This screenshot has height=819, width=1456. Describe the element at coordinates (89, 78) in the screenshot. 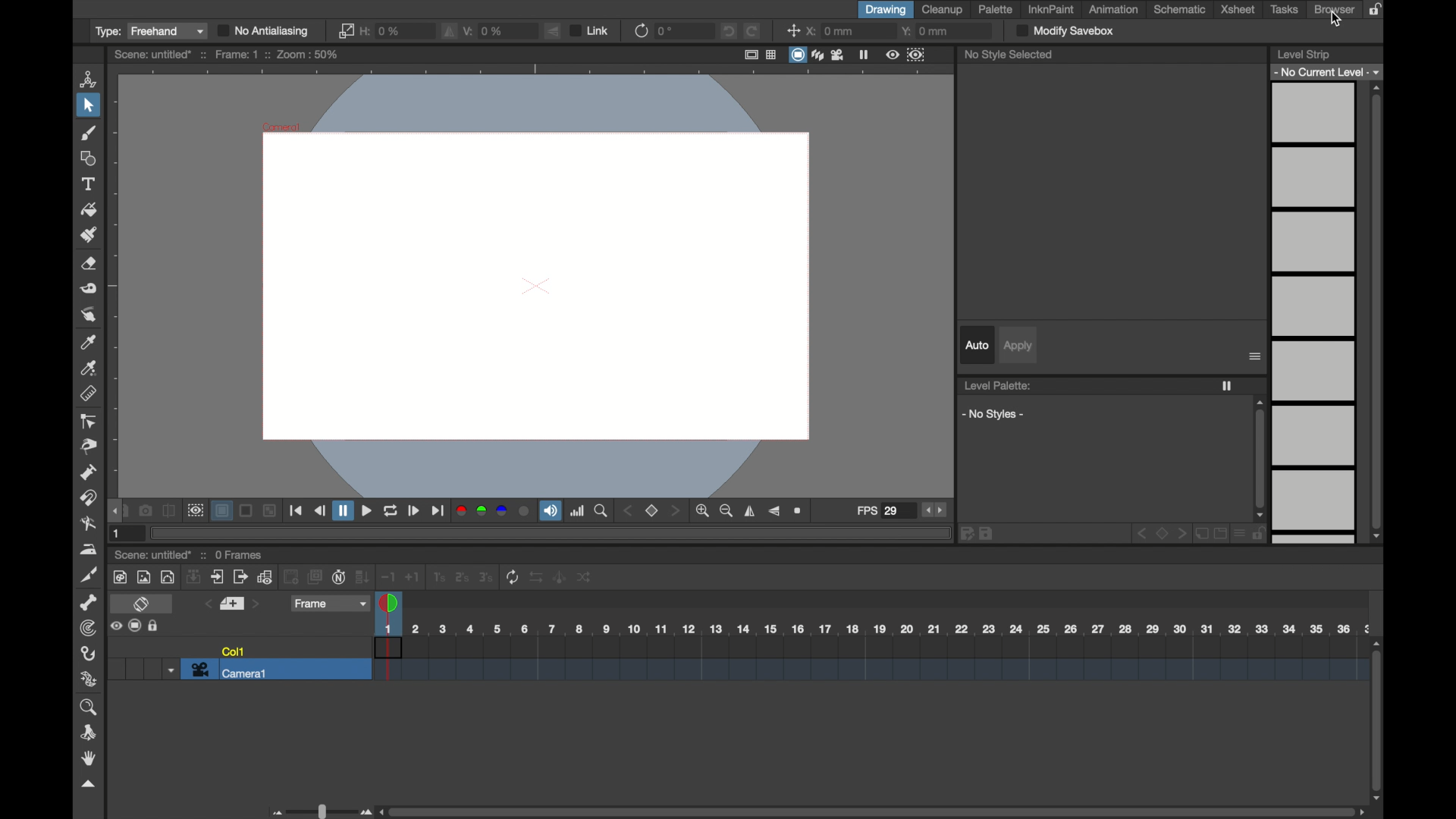

I see `animate tool` at that location.